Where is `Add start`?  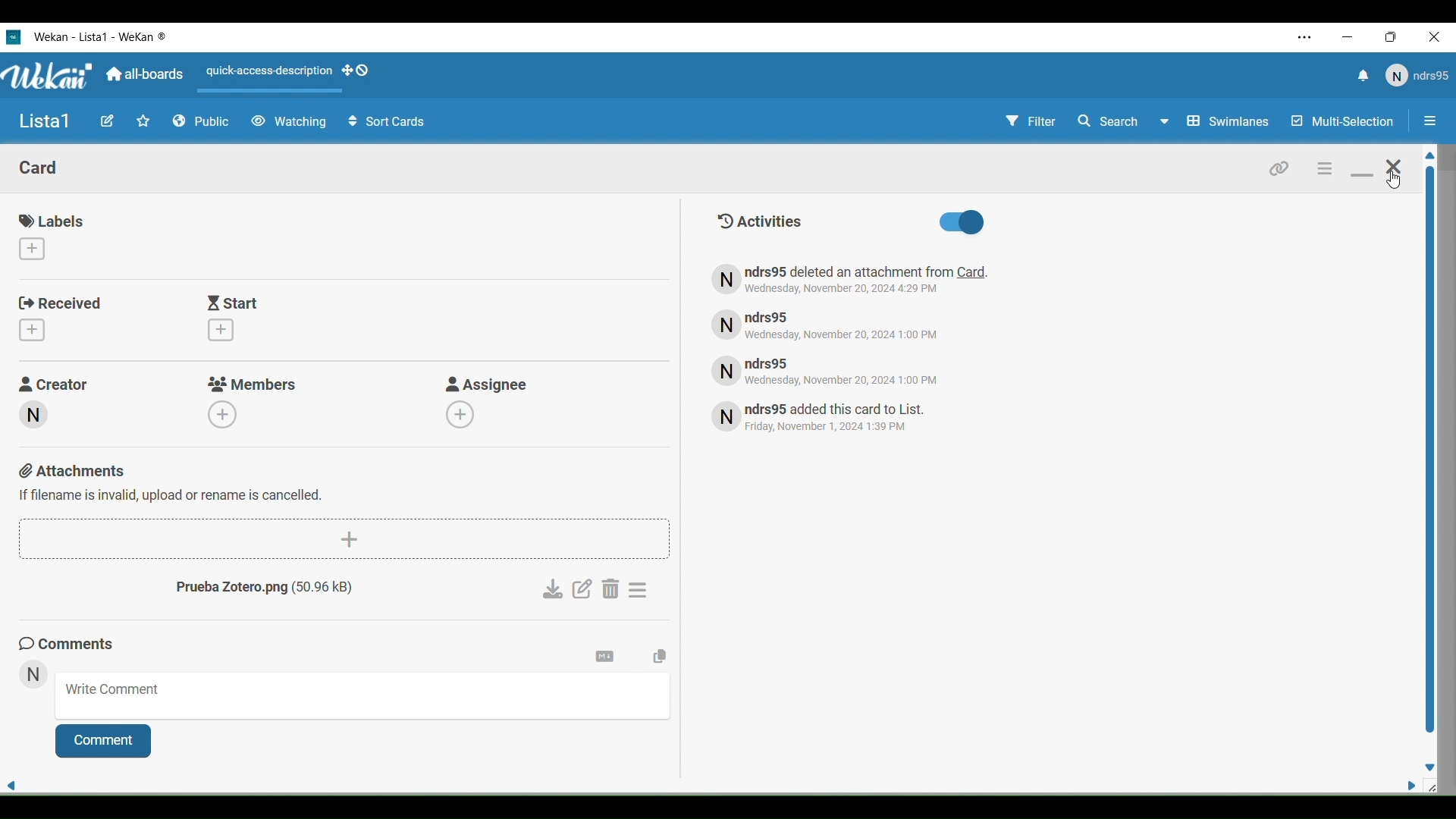 Add start is located at coordinates (221, 330).